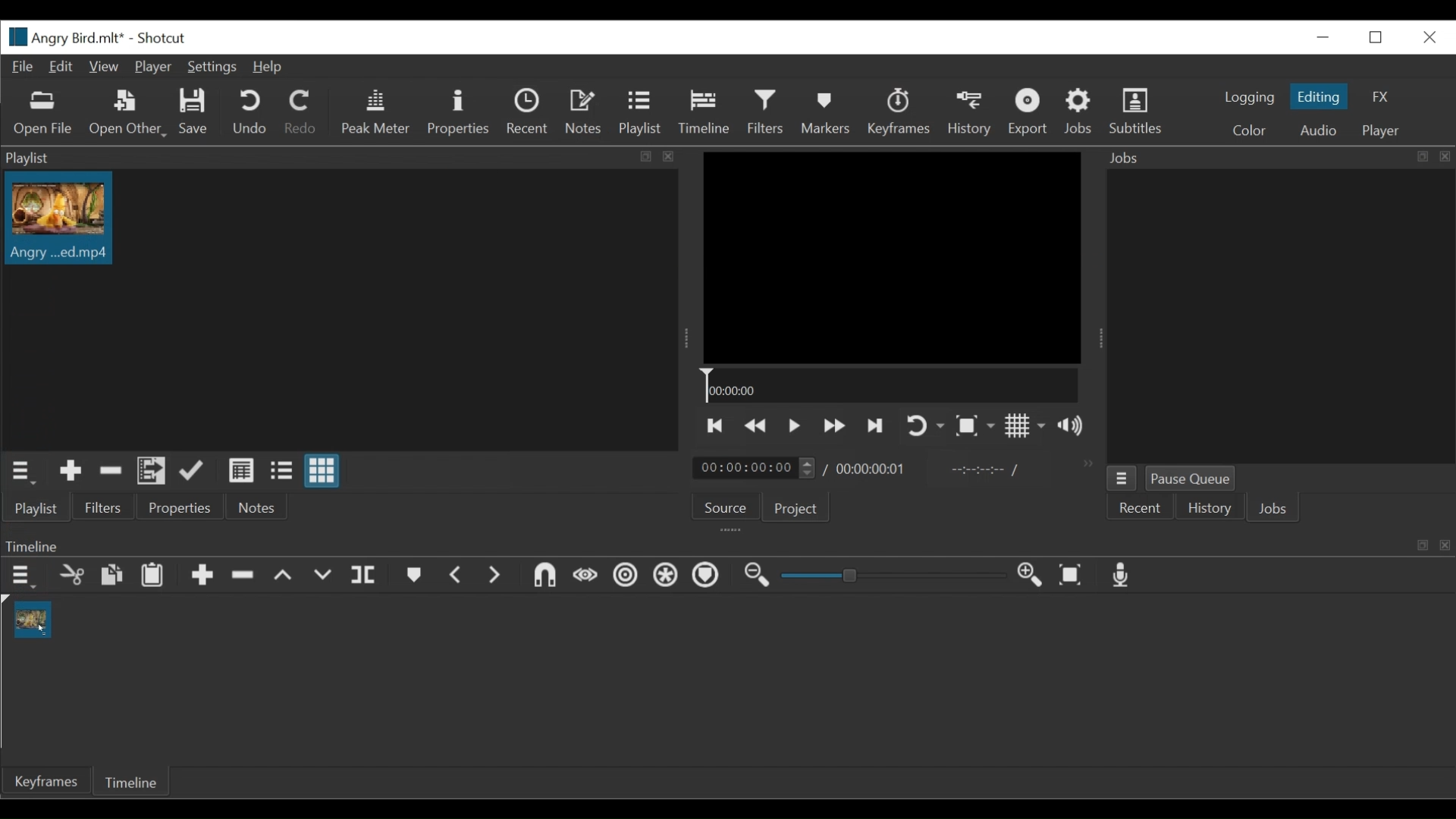  I want to click on History, so click(970, 113).